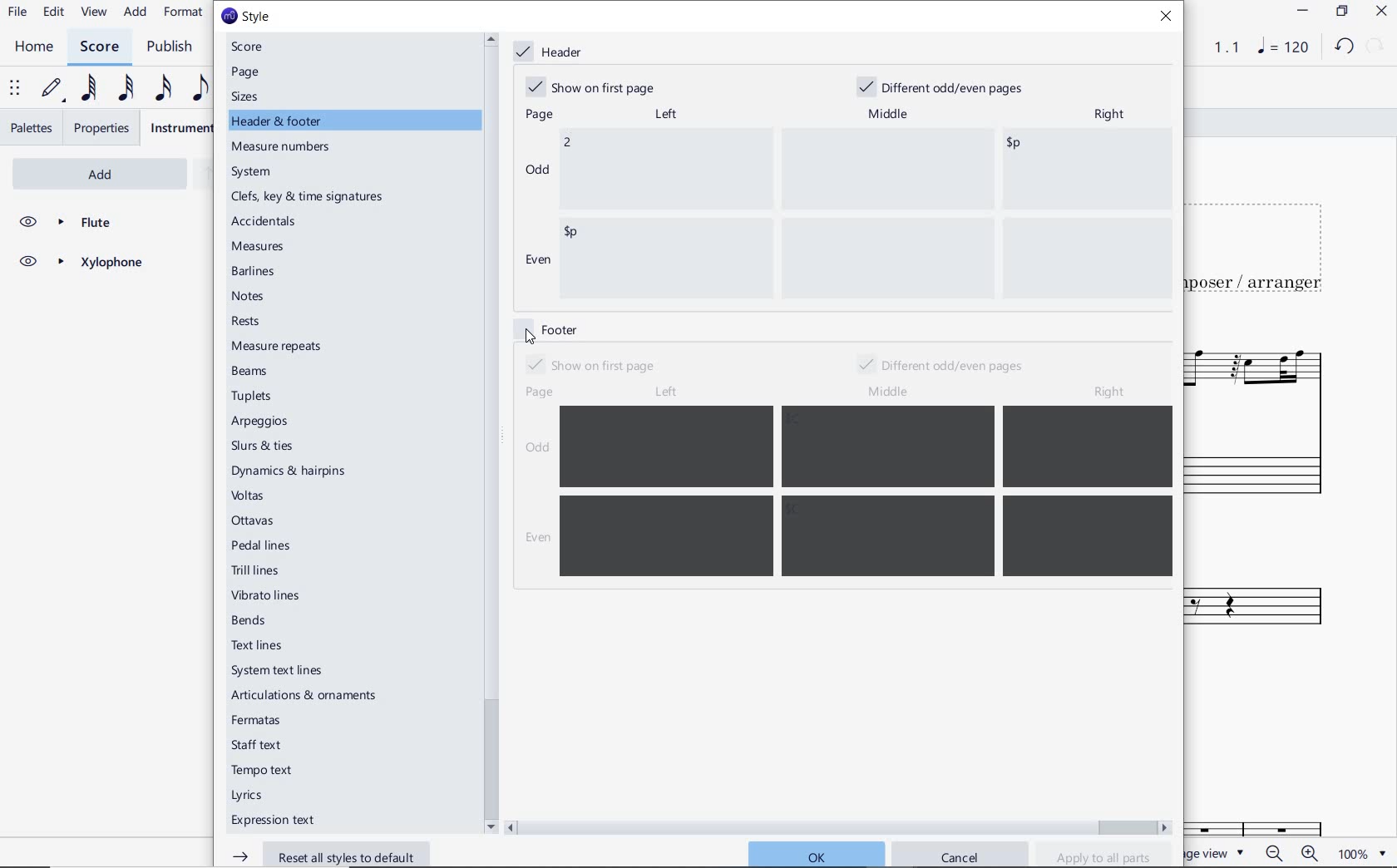 The height and width of the screenshot is (868, 1397). I want to click on middle, so click(890, 111).